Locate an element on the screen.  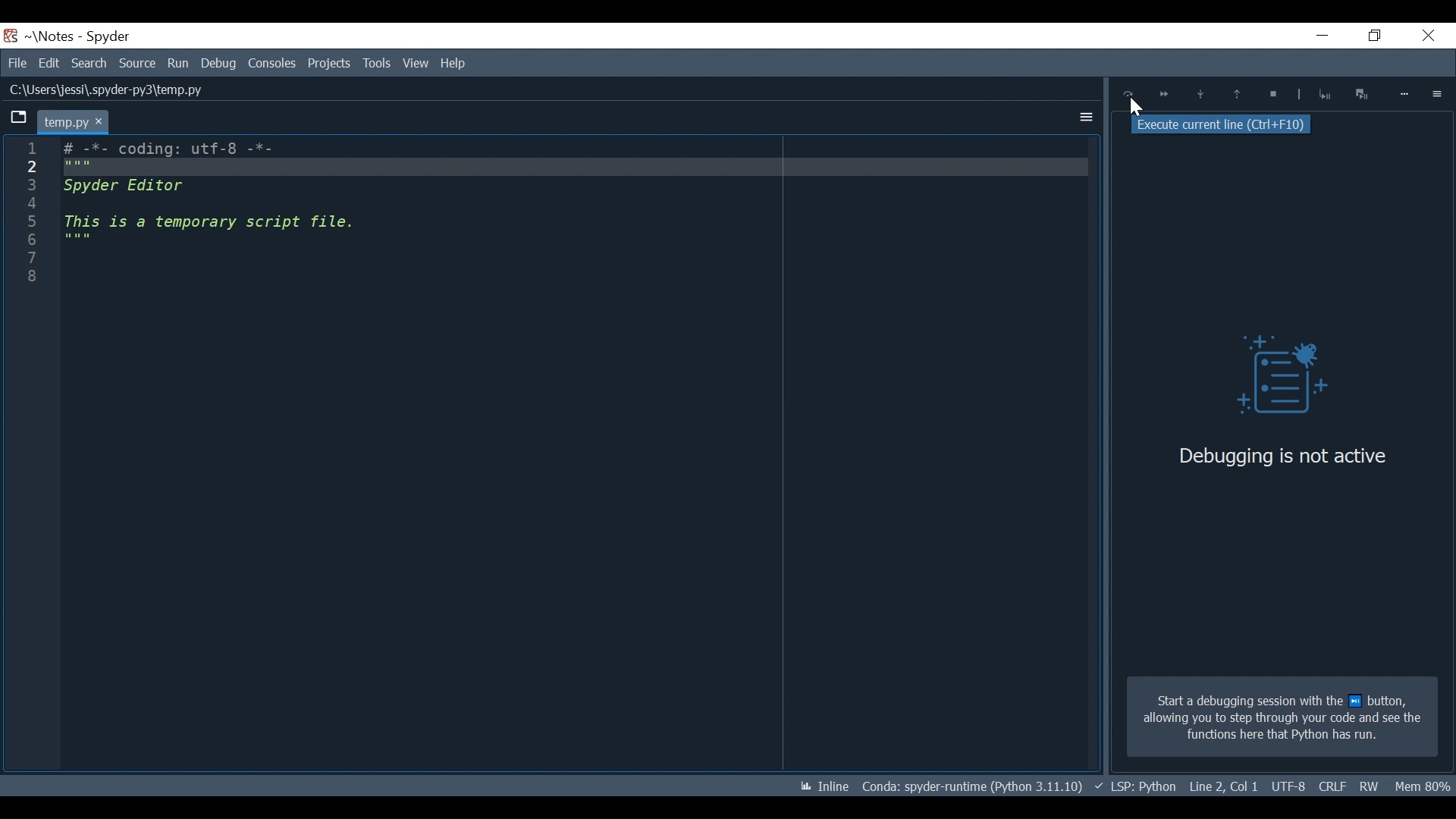
Edit is located at coordinates (49, 63).